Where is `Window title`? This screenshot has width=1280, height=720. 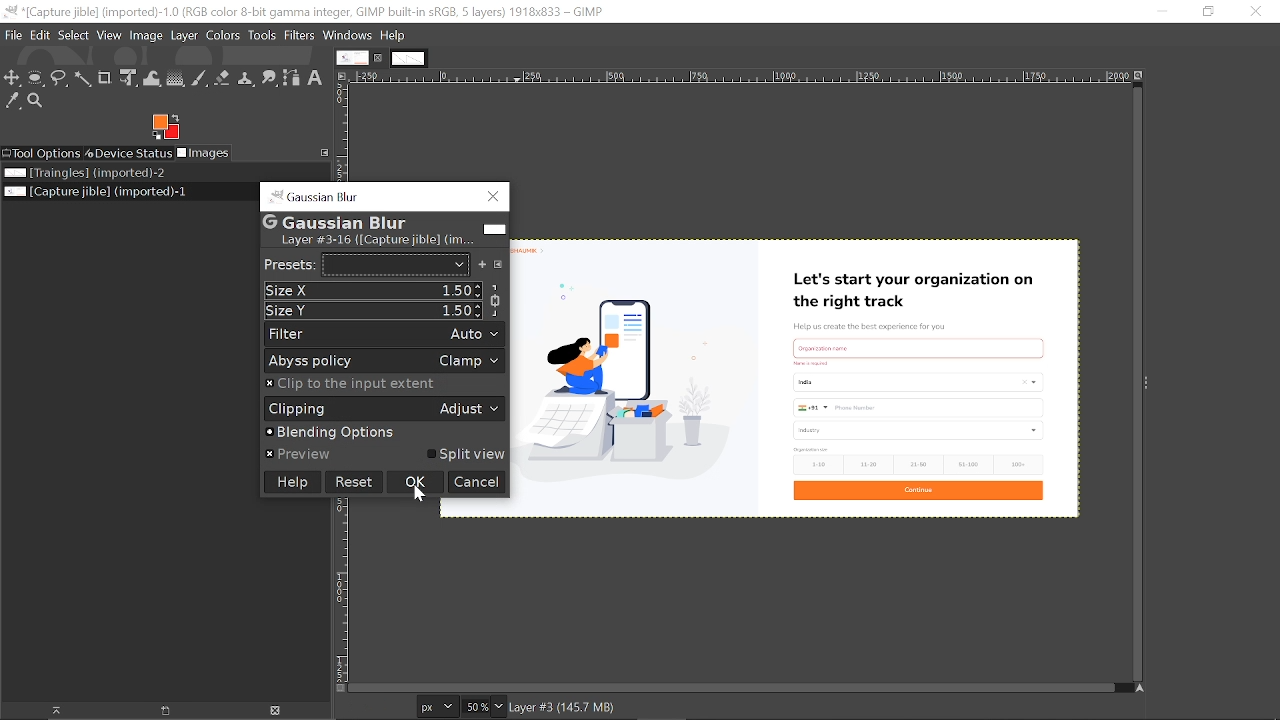 Window title is located at coordinates (325, 197).